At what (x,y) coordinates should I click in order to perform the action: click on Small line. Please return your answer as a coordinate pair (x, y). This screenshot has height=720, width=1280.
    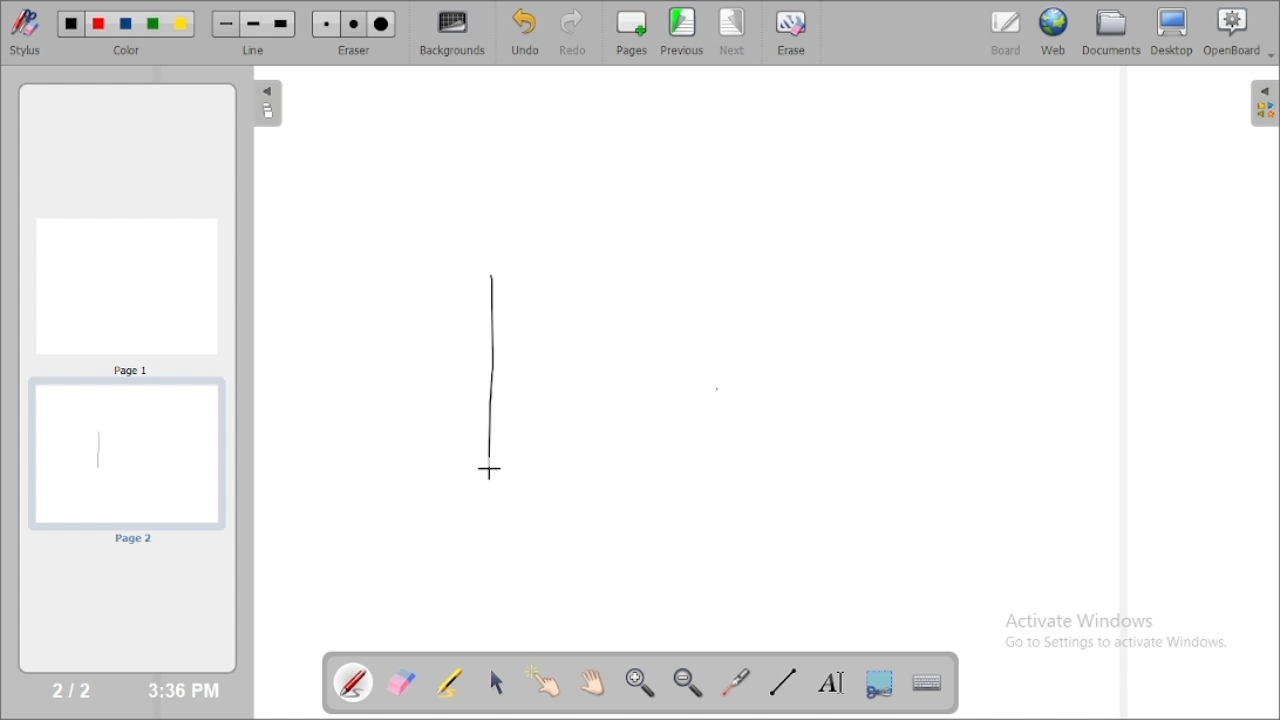
    Looking at the image, I should click on (226, 24).